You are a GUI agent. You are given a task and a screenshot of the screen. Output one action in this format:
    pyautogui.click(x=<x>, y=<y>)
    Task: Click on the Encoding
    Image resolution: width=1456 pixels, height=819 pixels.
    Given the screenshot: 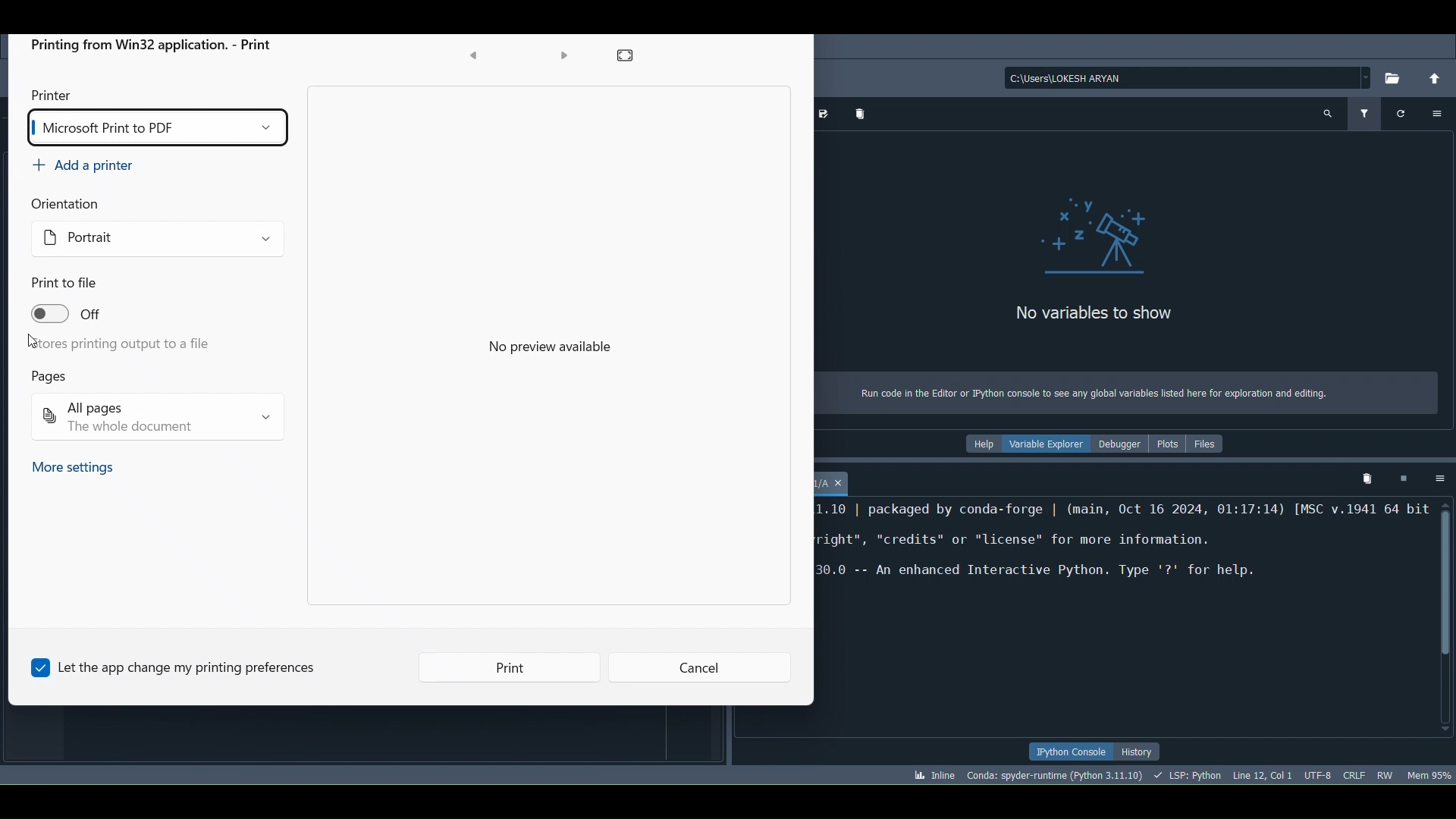 What is the action you would take?
    pyautogui.click(x=1318, y=776)
    